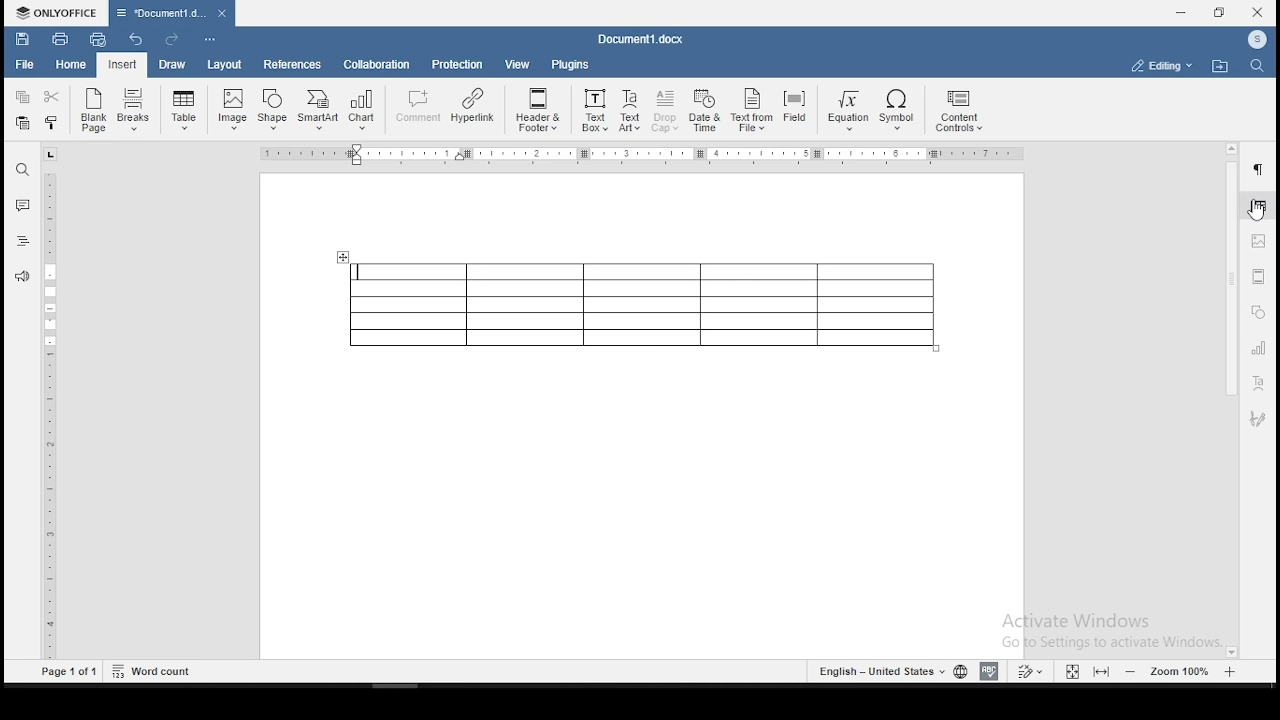 This screenshot has height=720, width=1280. I want to click on spell check, so click(989, 672).